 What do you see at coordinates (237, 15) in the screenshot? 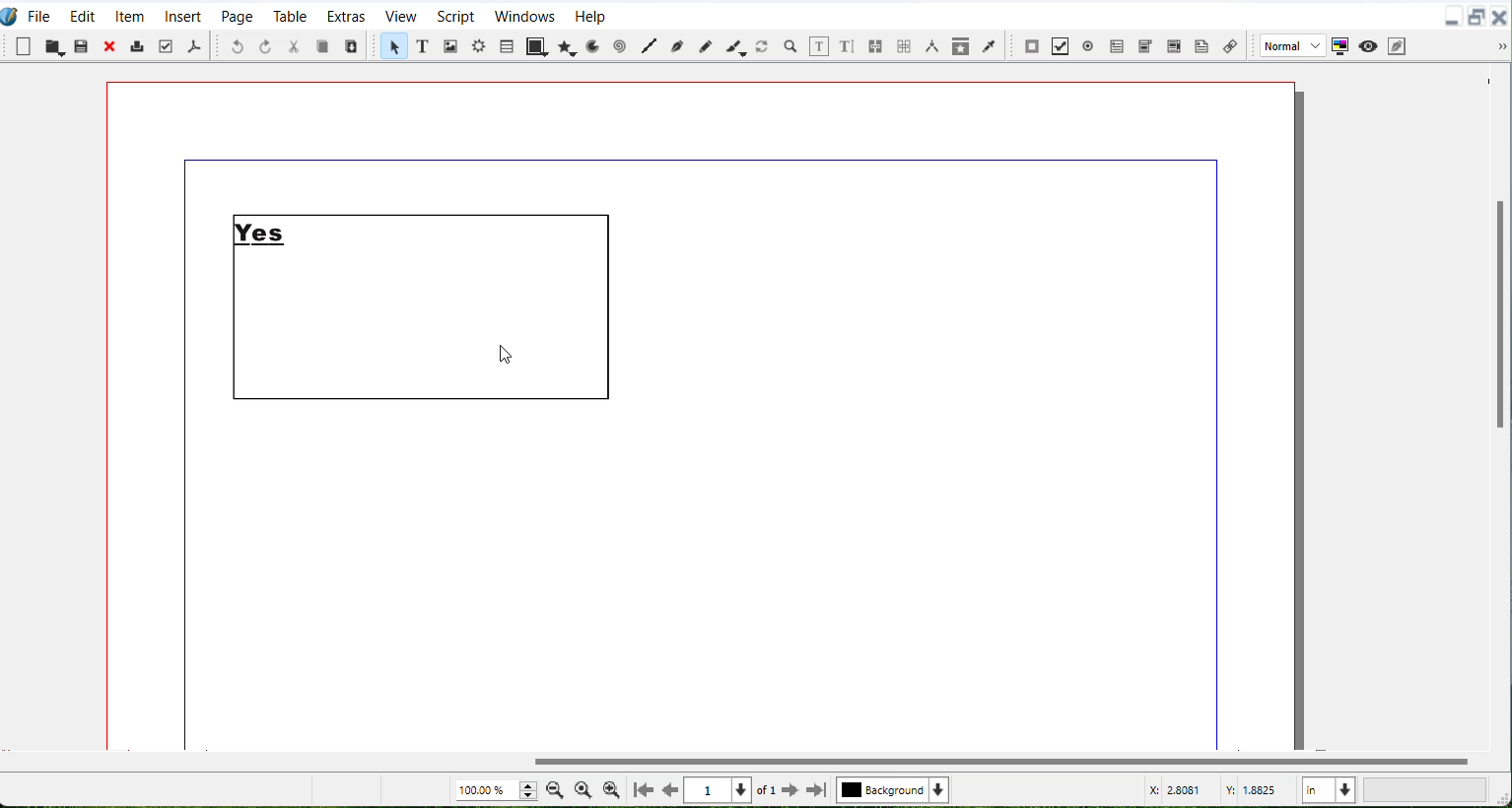
I see `Page` at bounding box center [237, 15].